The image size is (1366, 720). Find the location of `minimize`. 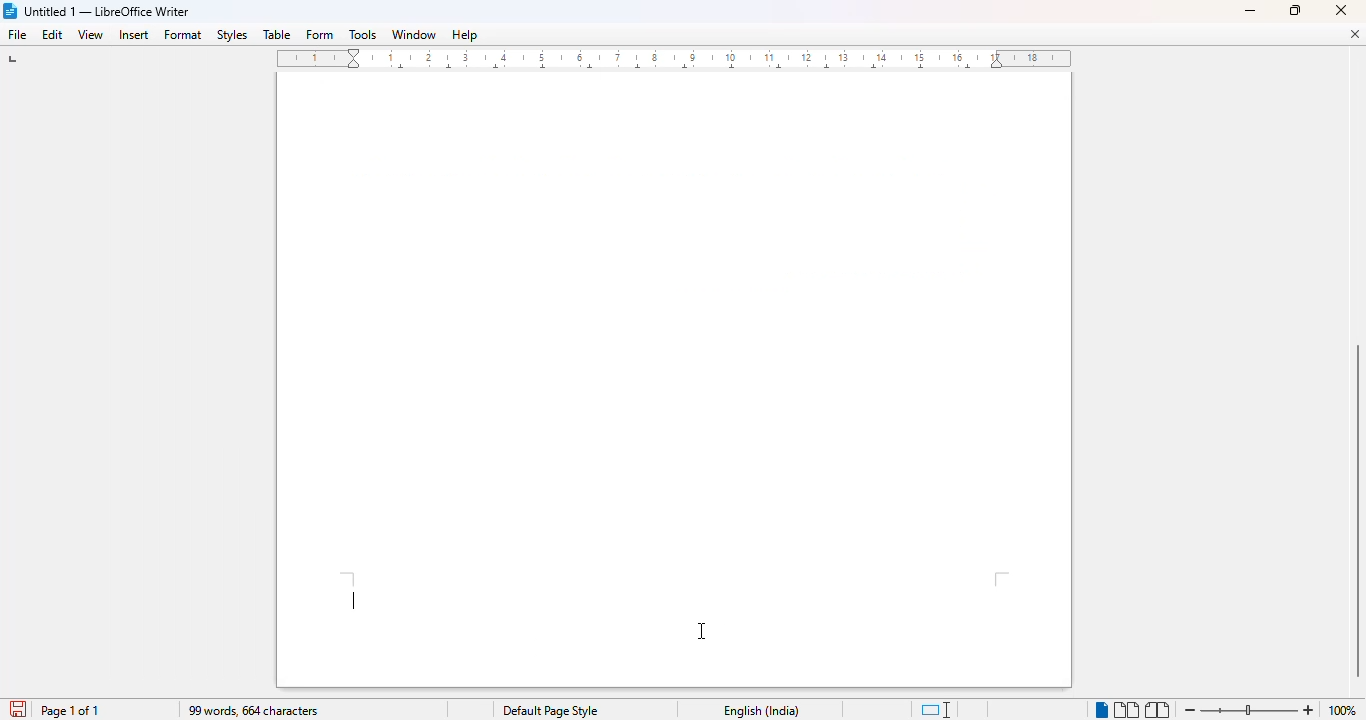

minimize is located at coordinates (1251, 11).